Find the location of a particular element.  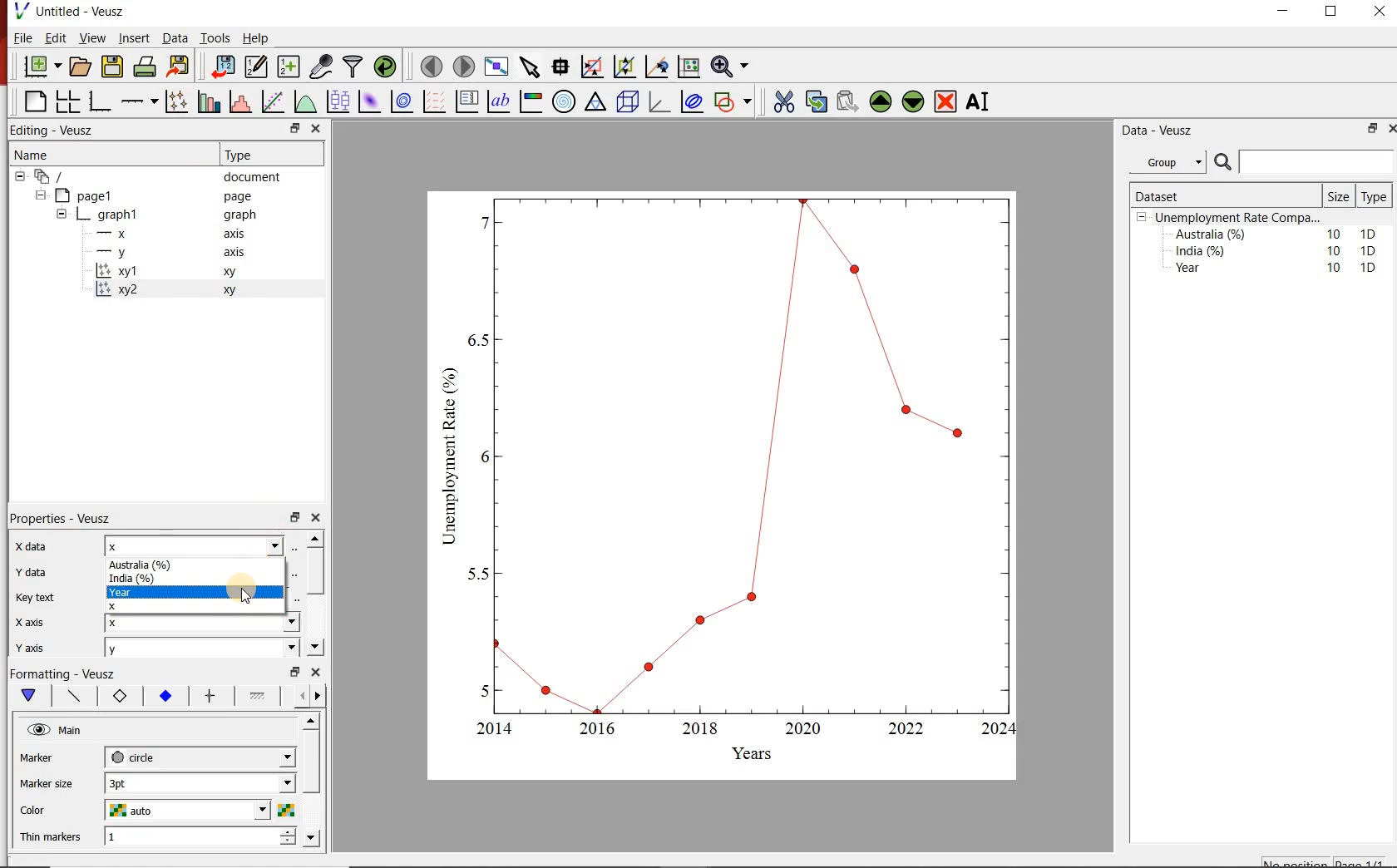

blank page is located at coordinates (34, 100).